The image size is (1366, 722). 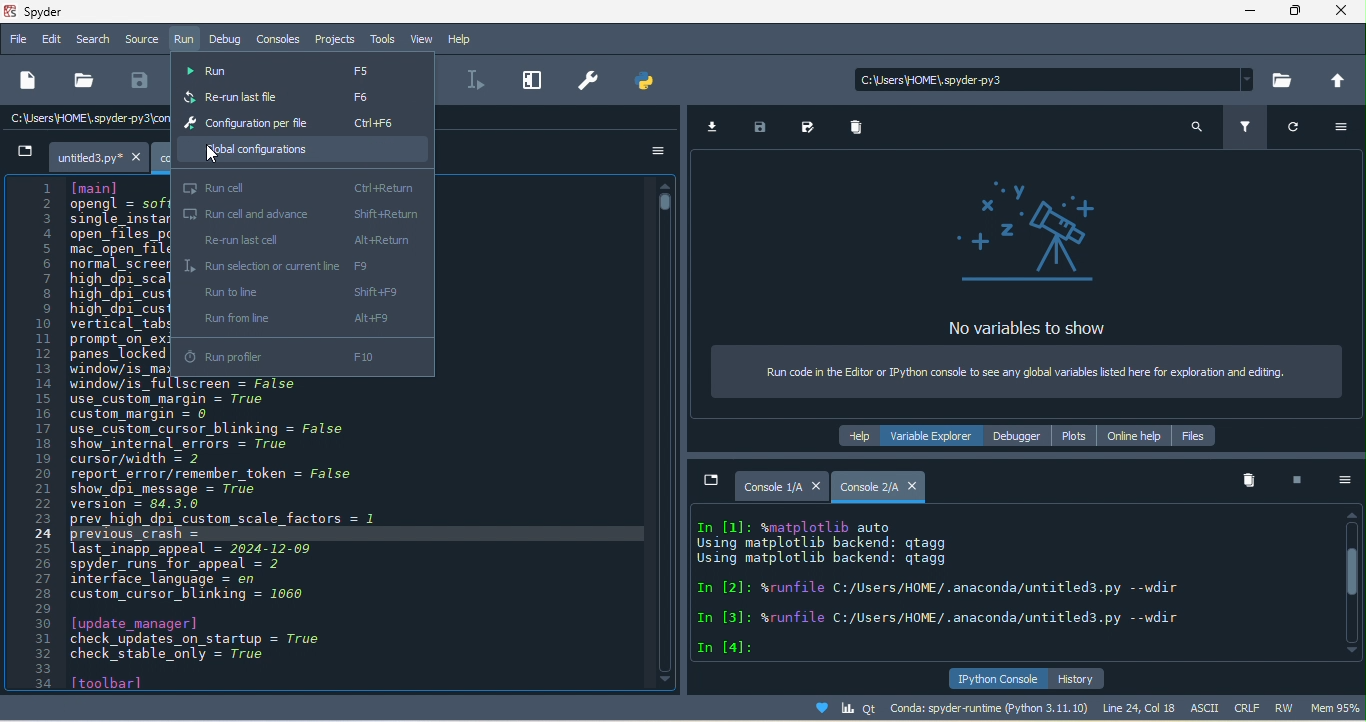 What do you see at coordinates (1049, 79) in the screenshot?
I see `search bar` at bounding box center [1049, 79].